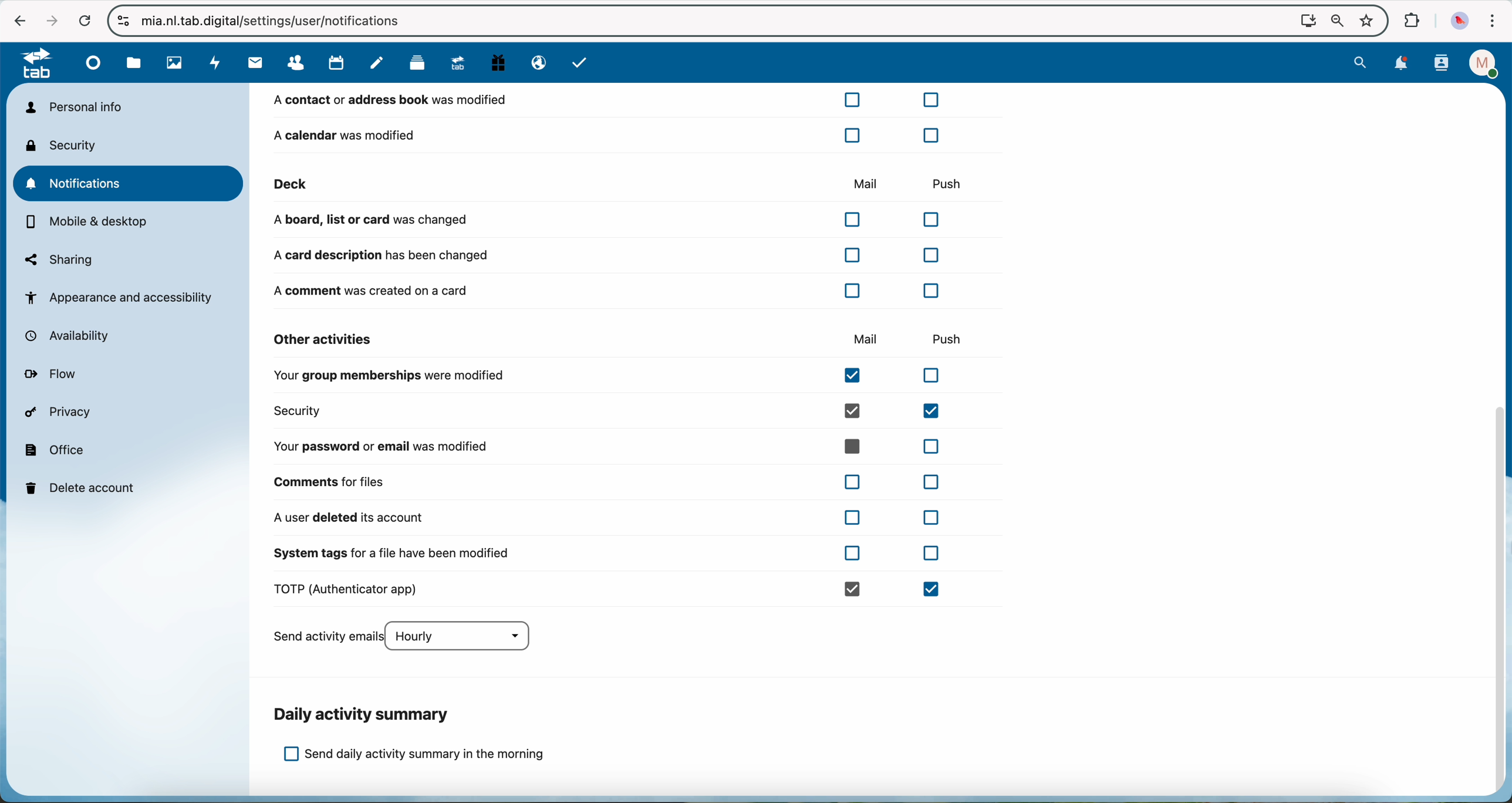 This screenshot has height=803, width=1512. What do you see at coordinates (31, 65) in the screenshot?
I see `tab logo` at bounding box center [31, 65].